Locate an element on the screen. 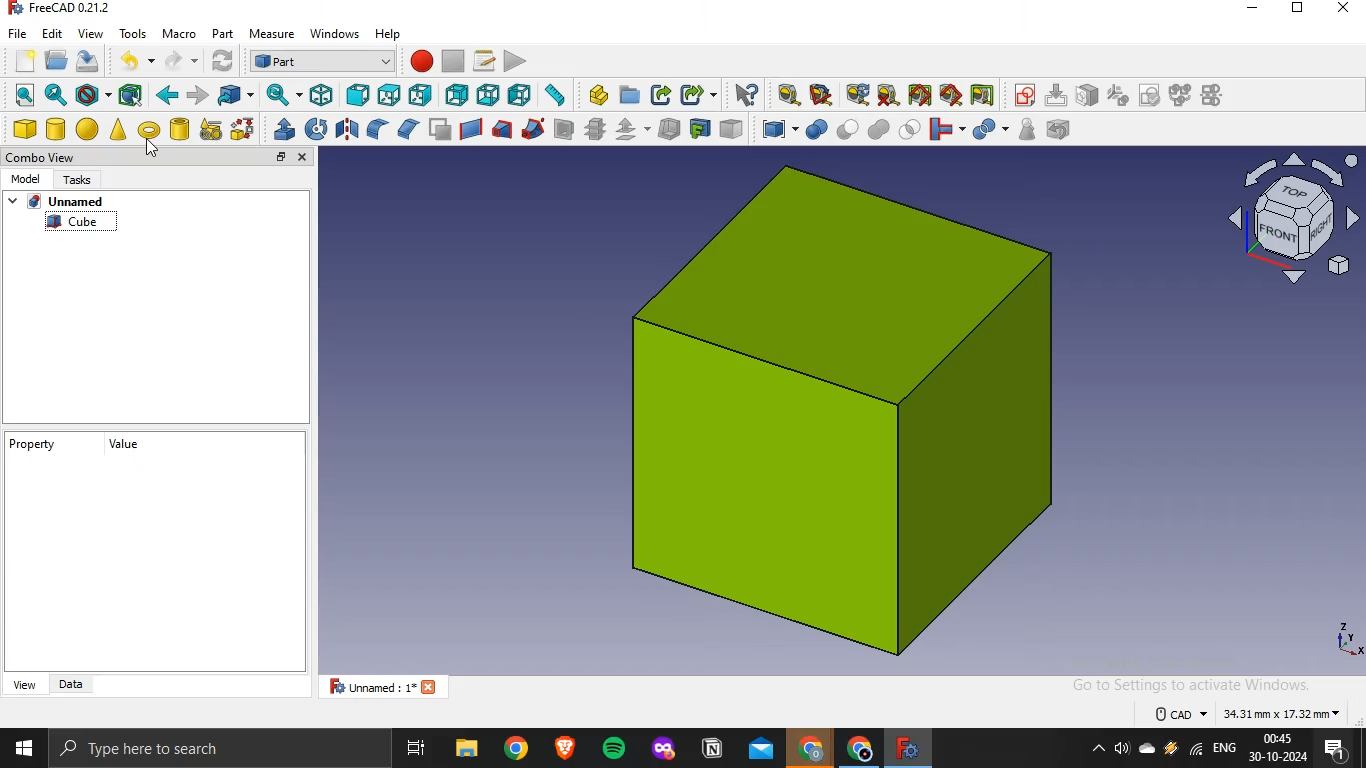 This screenshot has width=1366, height=768. show hidden icons  is located at coordinates (1095, 748).